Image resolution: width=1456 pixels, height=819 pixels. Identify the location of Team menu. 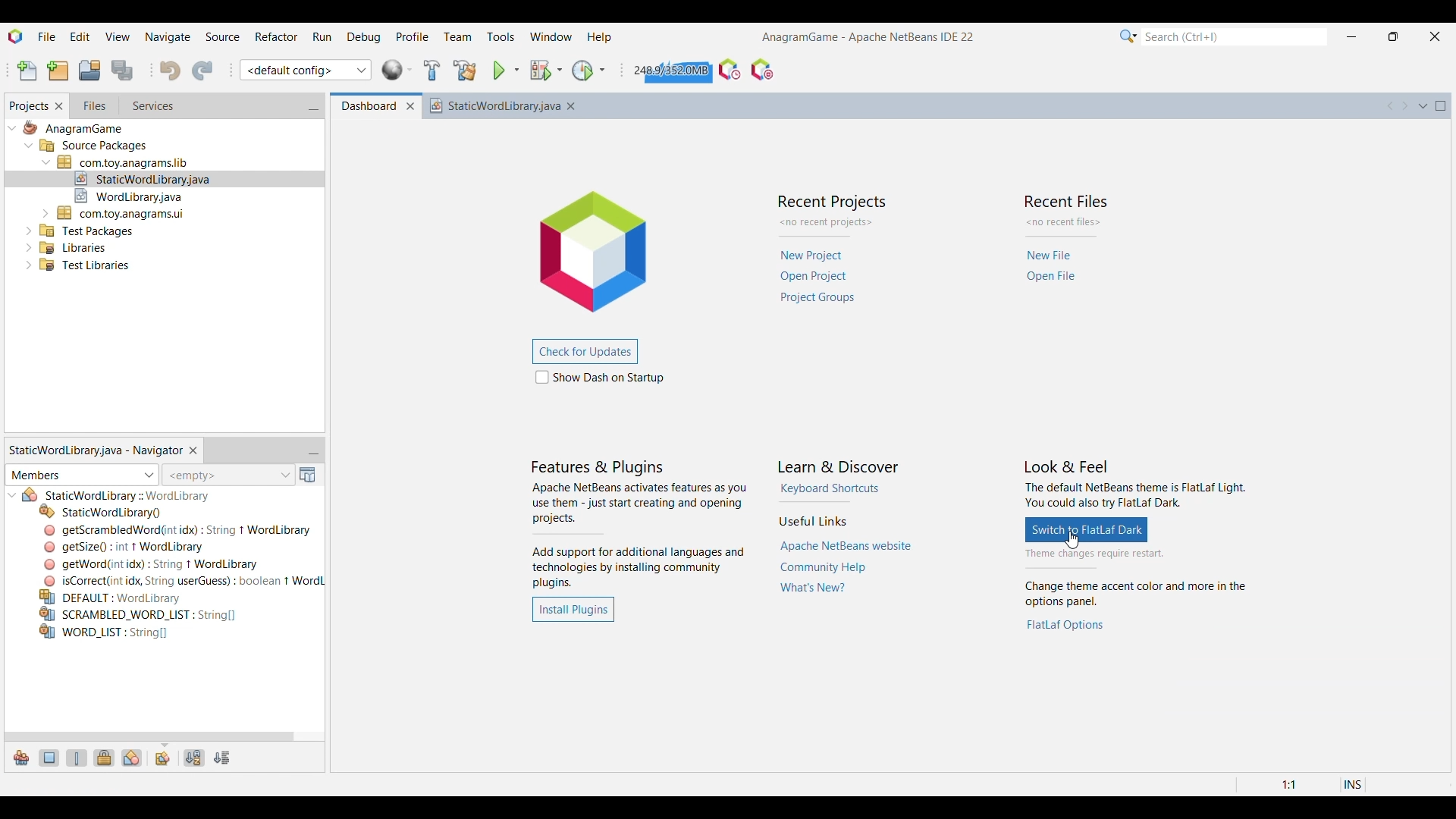
(457, 37).